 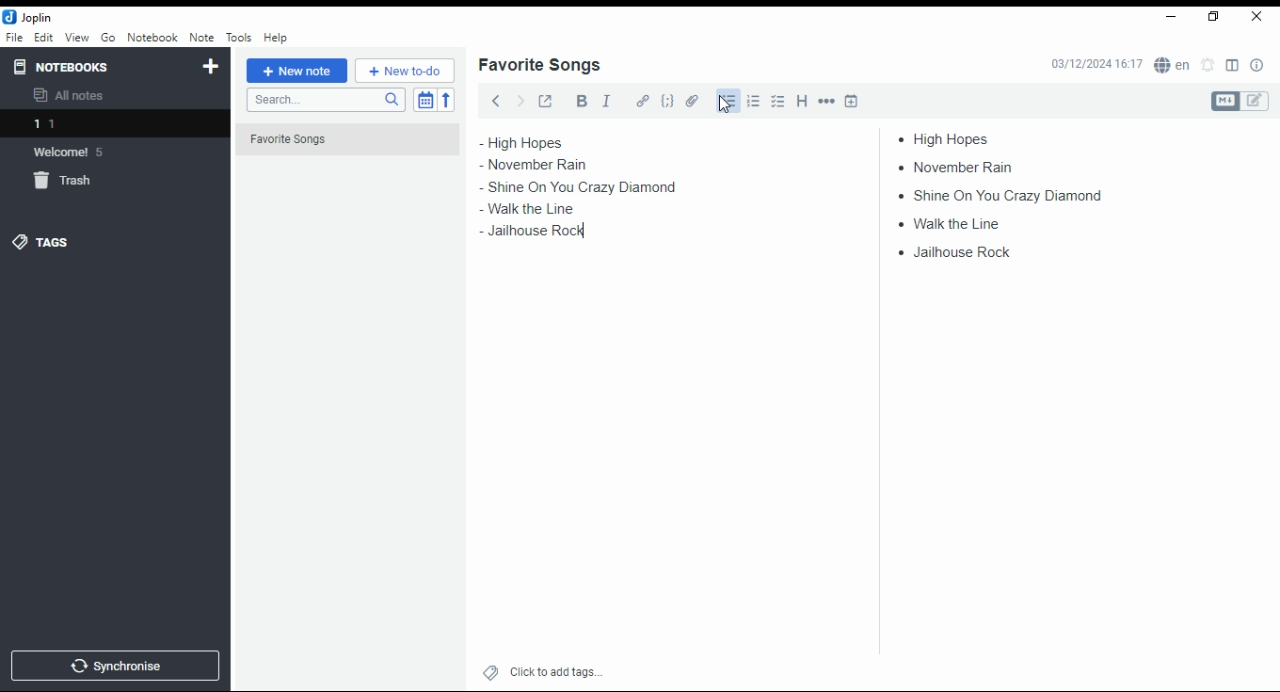 I want to click on toggle external editing, so click(x=546, y=100).